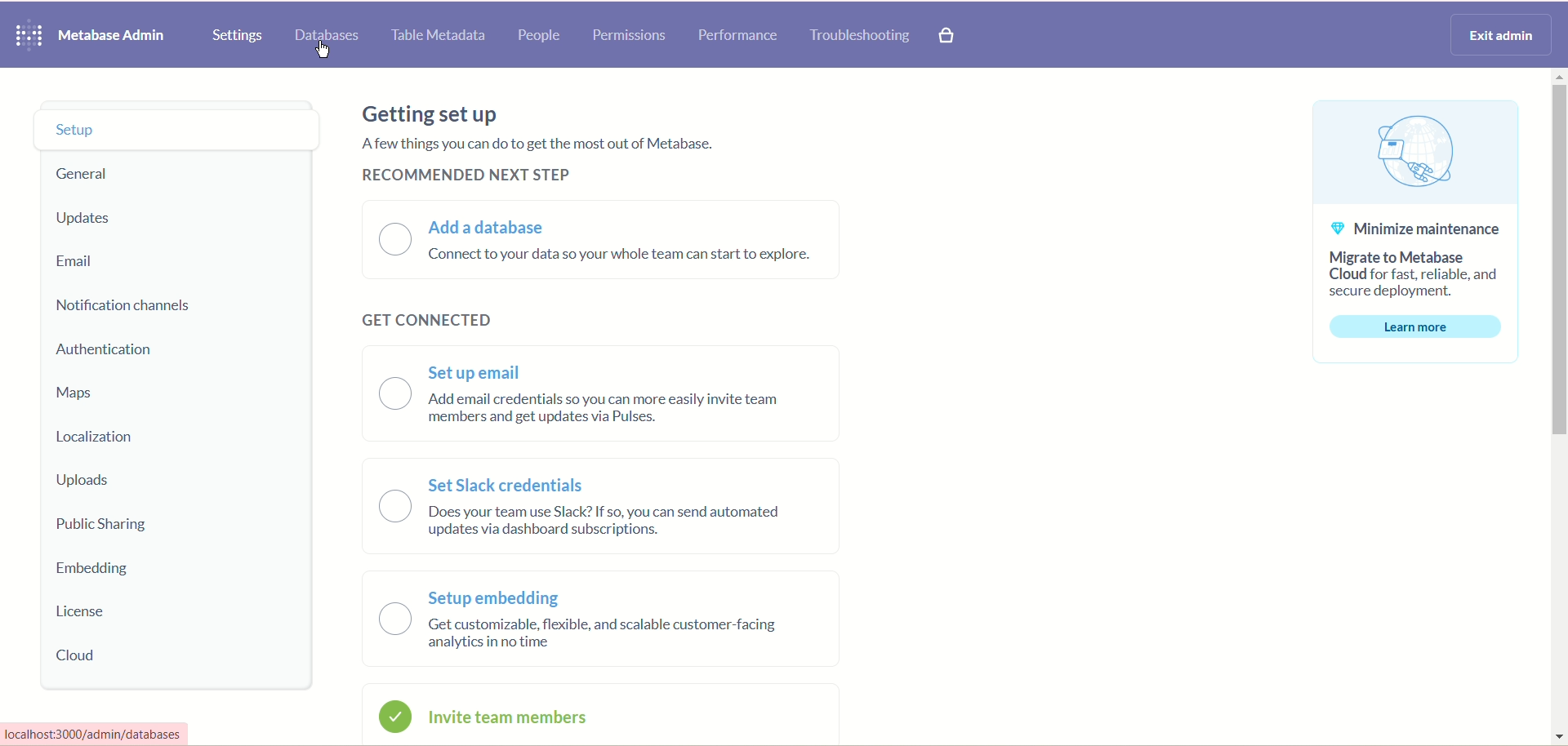  I want to click on get connected, so click(432, 316).